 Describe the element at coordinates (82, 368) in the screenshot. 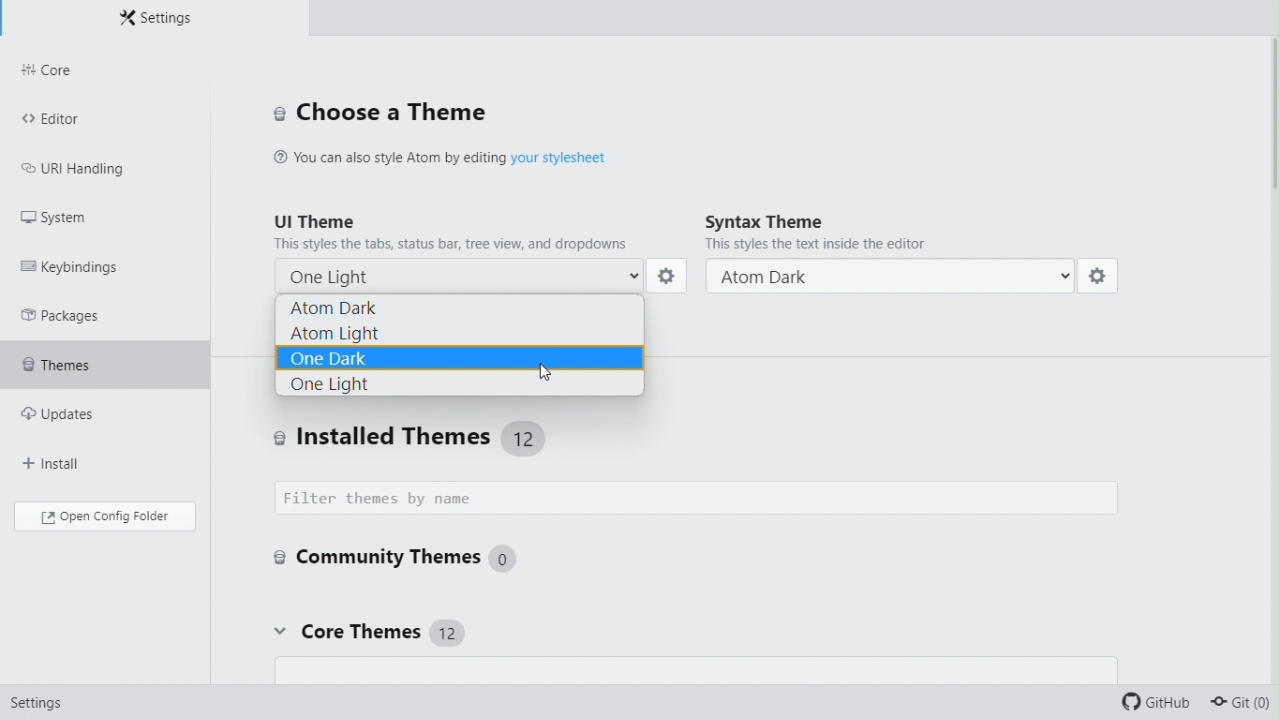

I see `Themes` at that location.